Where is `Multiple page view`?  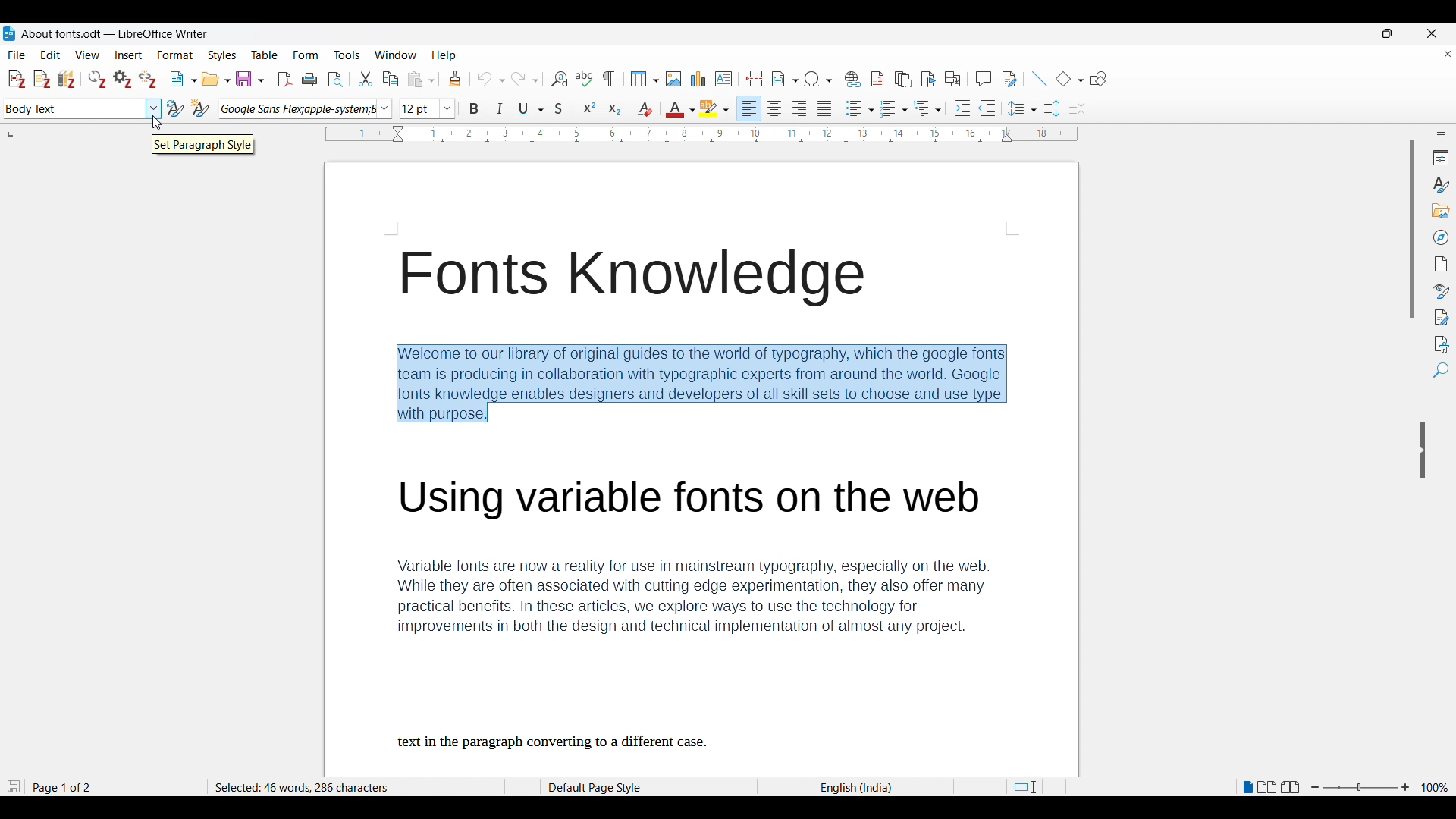
Multiple page view is located at coordinates (1268, 787).